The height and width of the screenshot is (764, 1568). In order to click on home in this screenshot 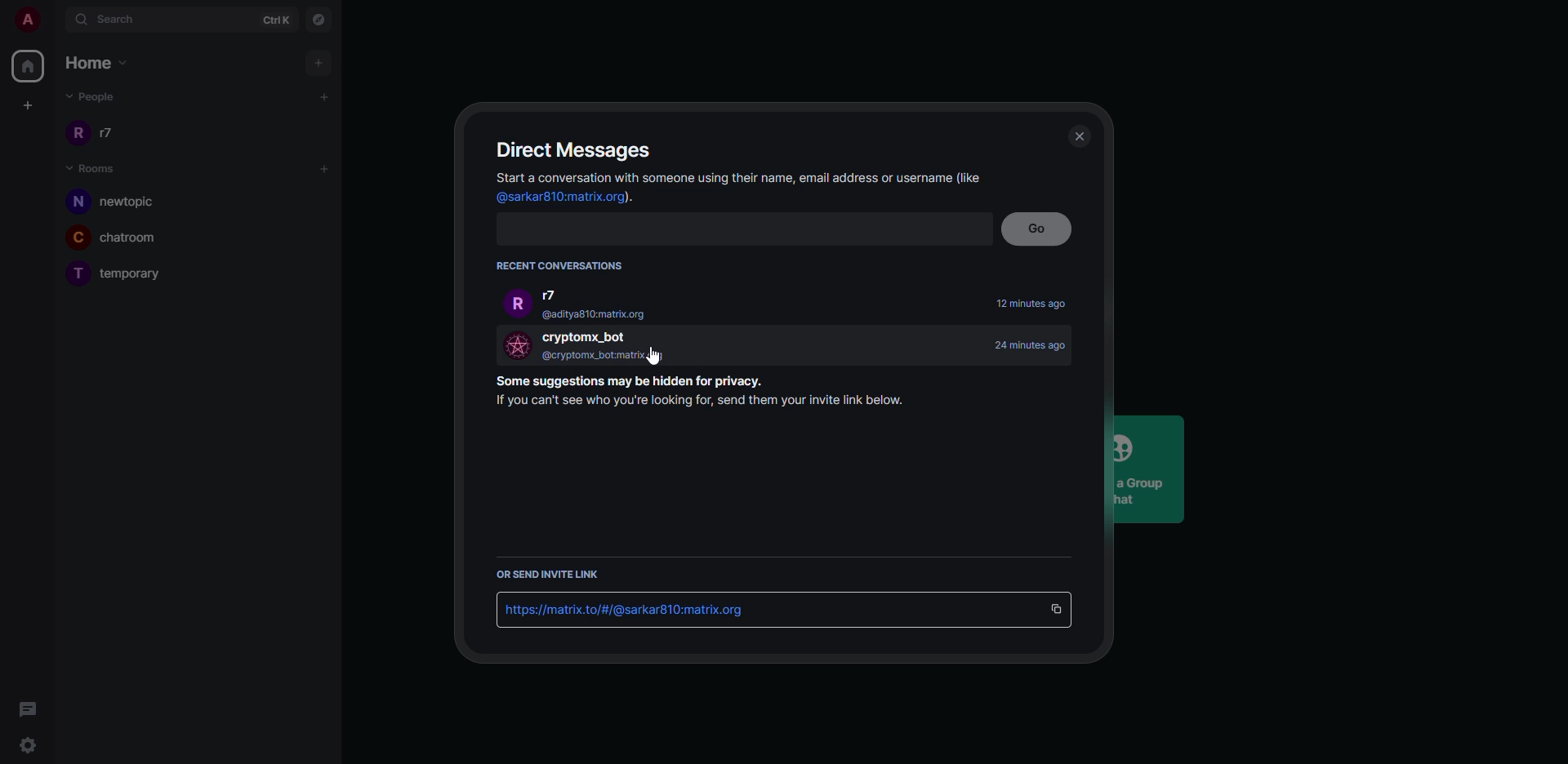, I will do `click(100, 62)`.